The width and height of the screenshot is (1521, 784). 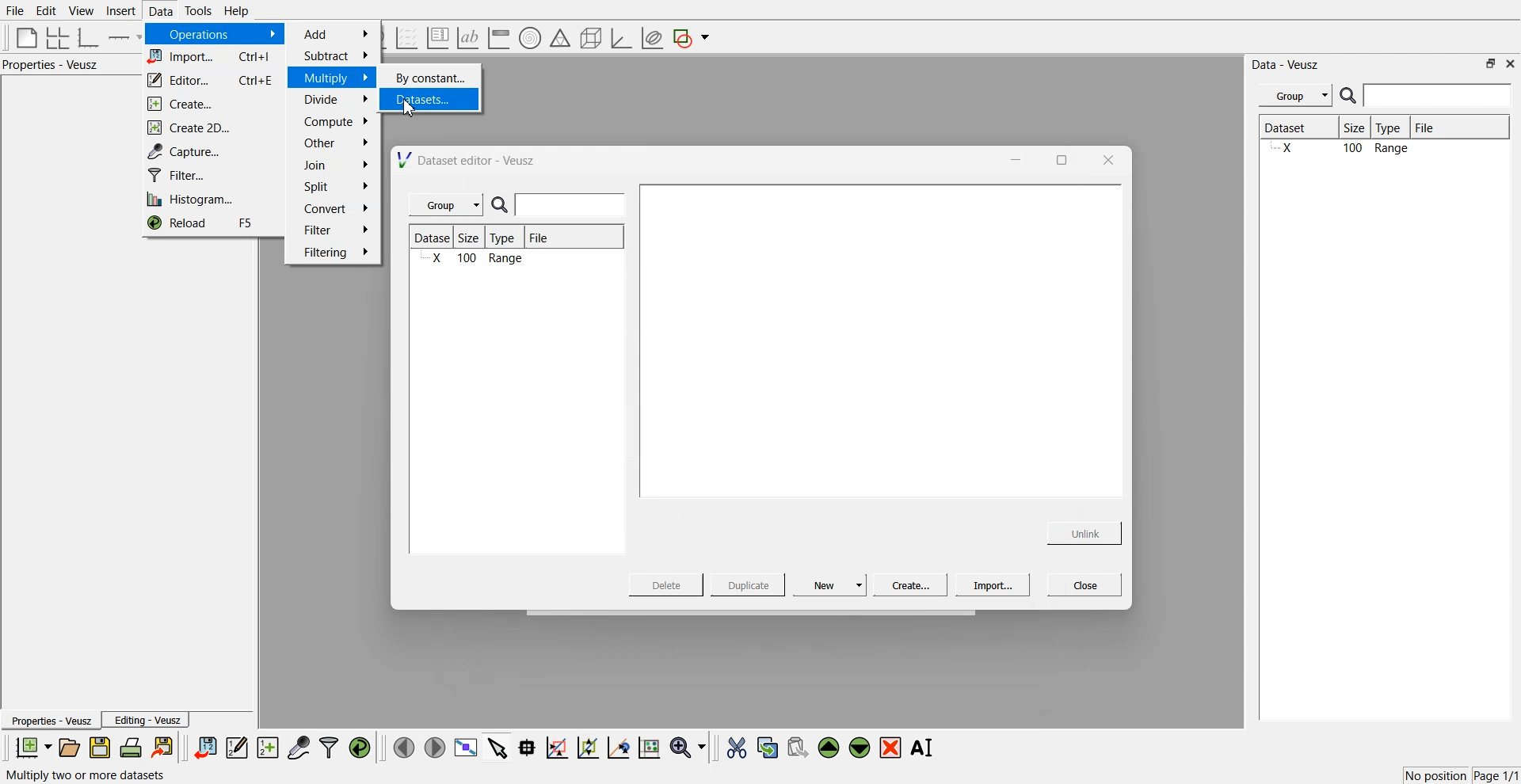 I want to click on Page 1/1, so click(x=1497, y=776).